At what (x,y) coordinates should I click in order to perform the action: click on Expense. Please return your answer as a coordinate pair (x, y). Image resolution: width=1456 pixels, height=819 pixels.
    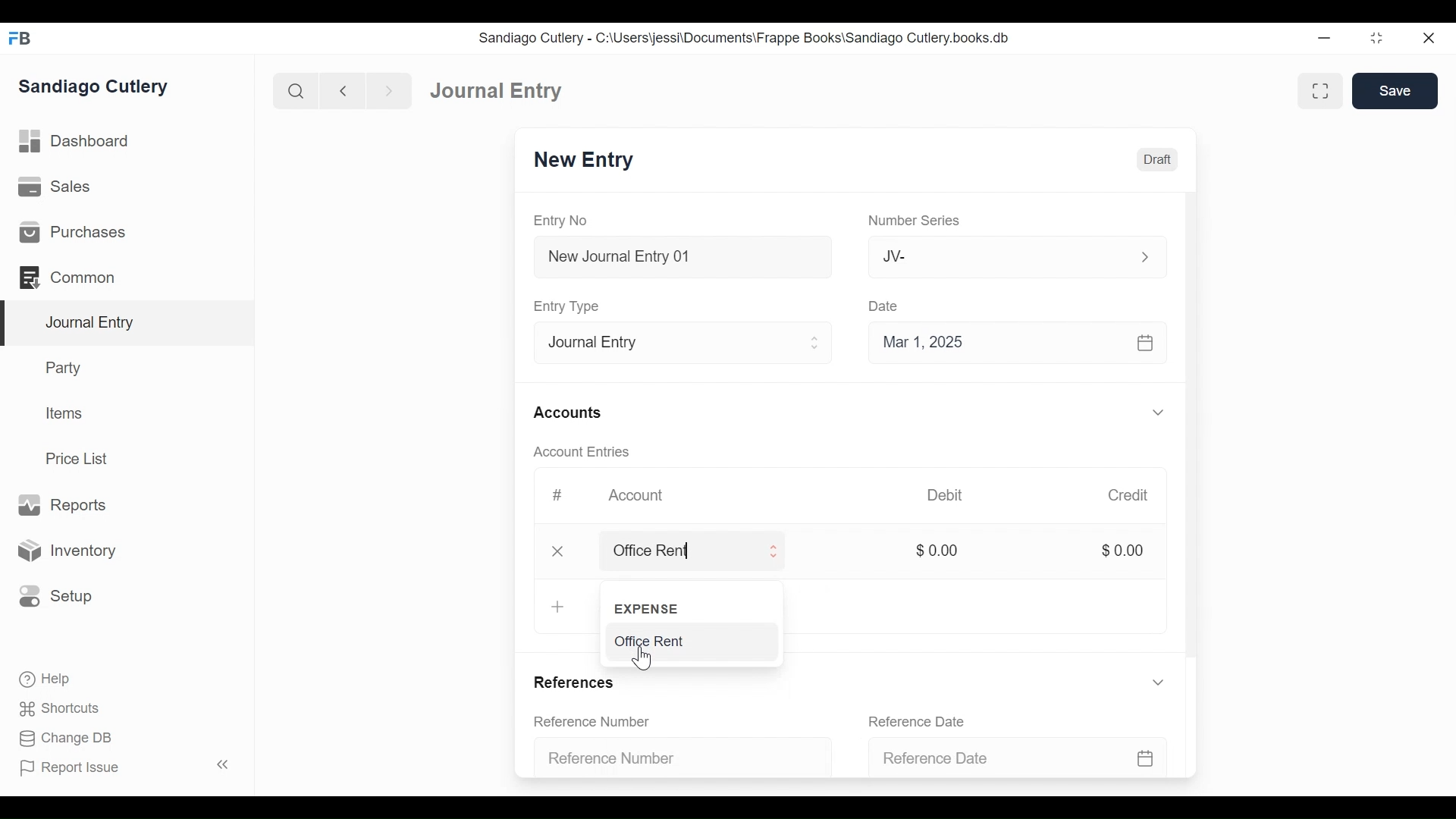
    Looking at the image, I should click on (679, 606).